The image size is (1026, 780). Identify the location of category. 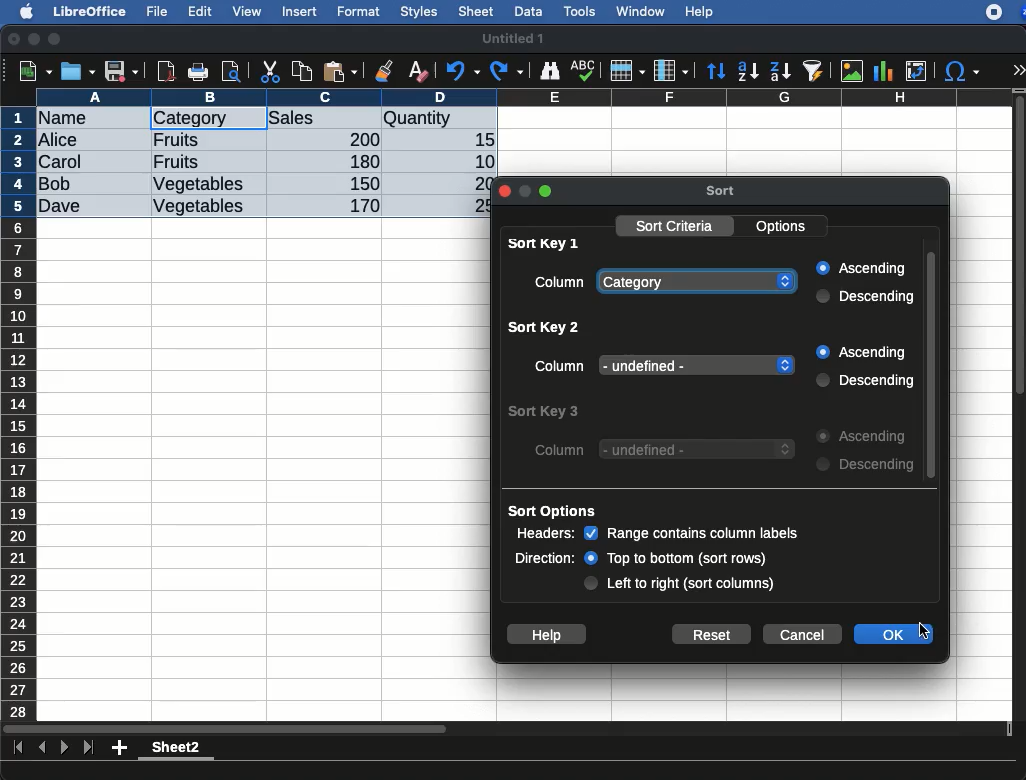
(698, 283).